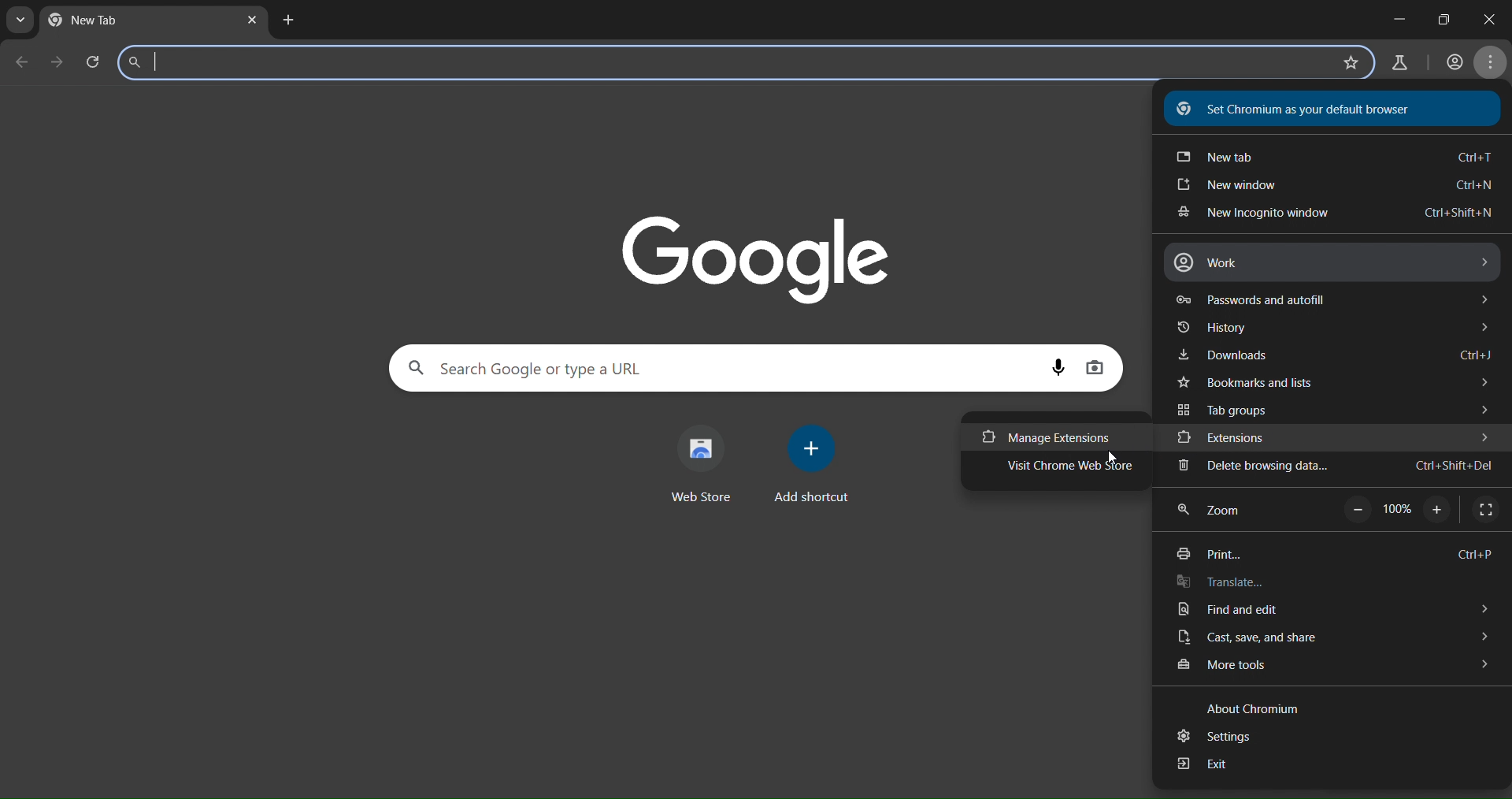  Describe the element at coordinates (1334, 214) in the screenshot. I see `new incognito window` at that location.